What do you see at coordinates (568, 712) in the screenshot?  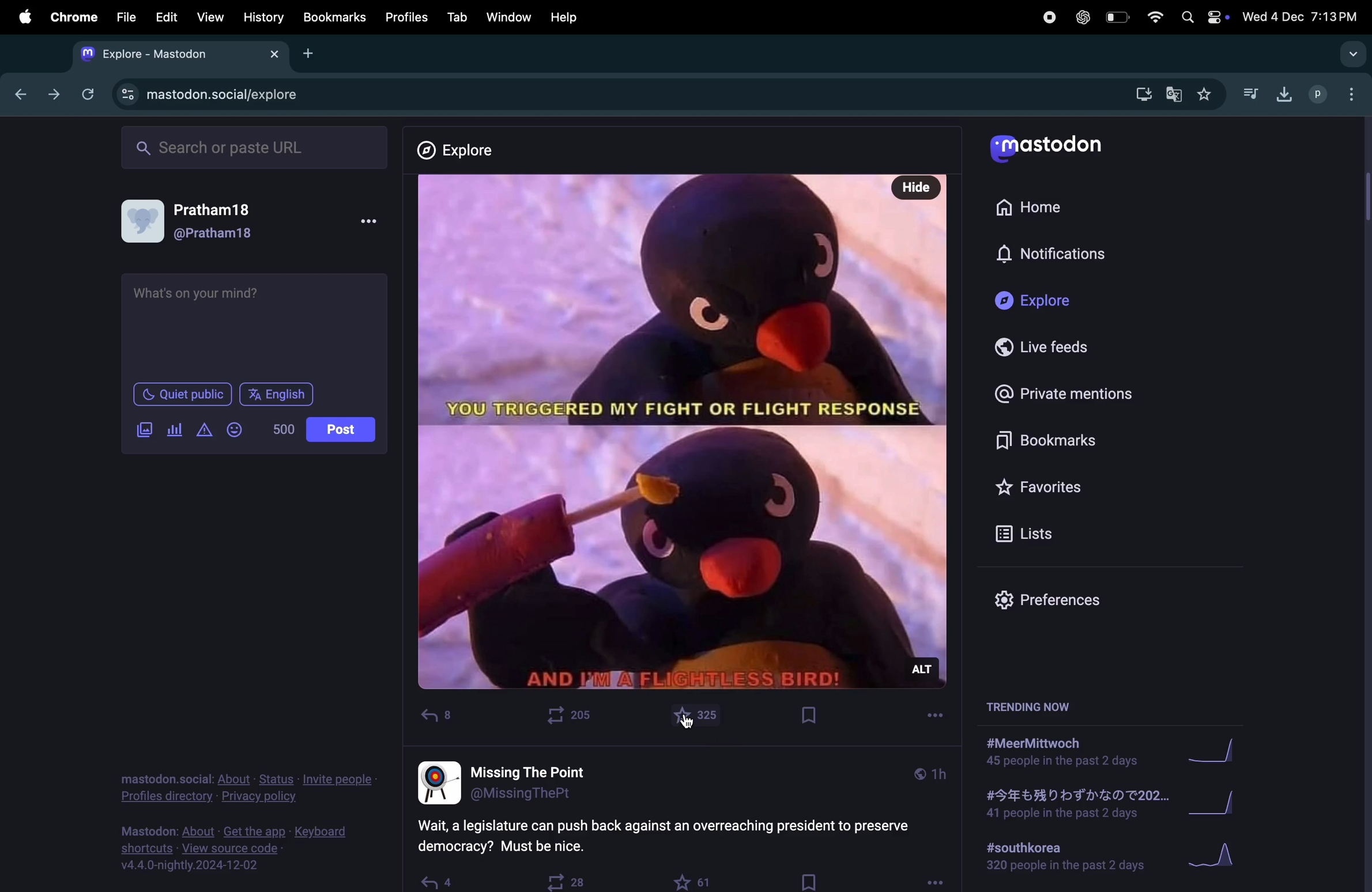 I see `boost` at bounding box center [568, 712].